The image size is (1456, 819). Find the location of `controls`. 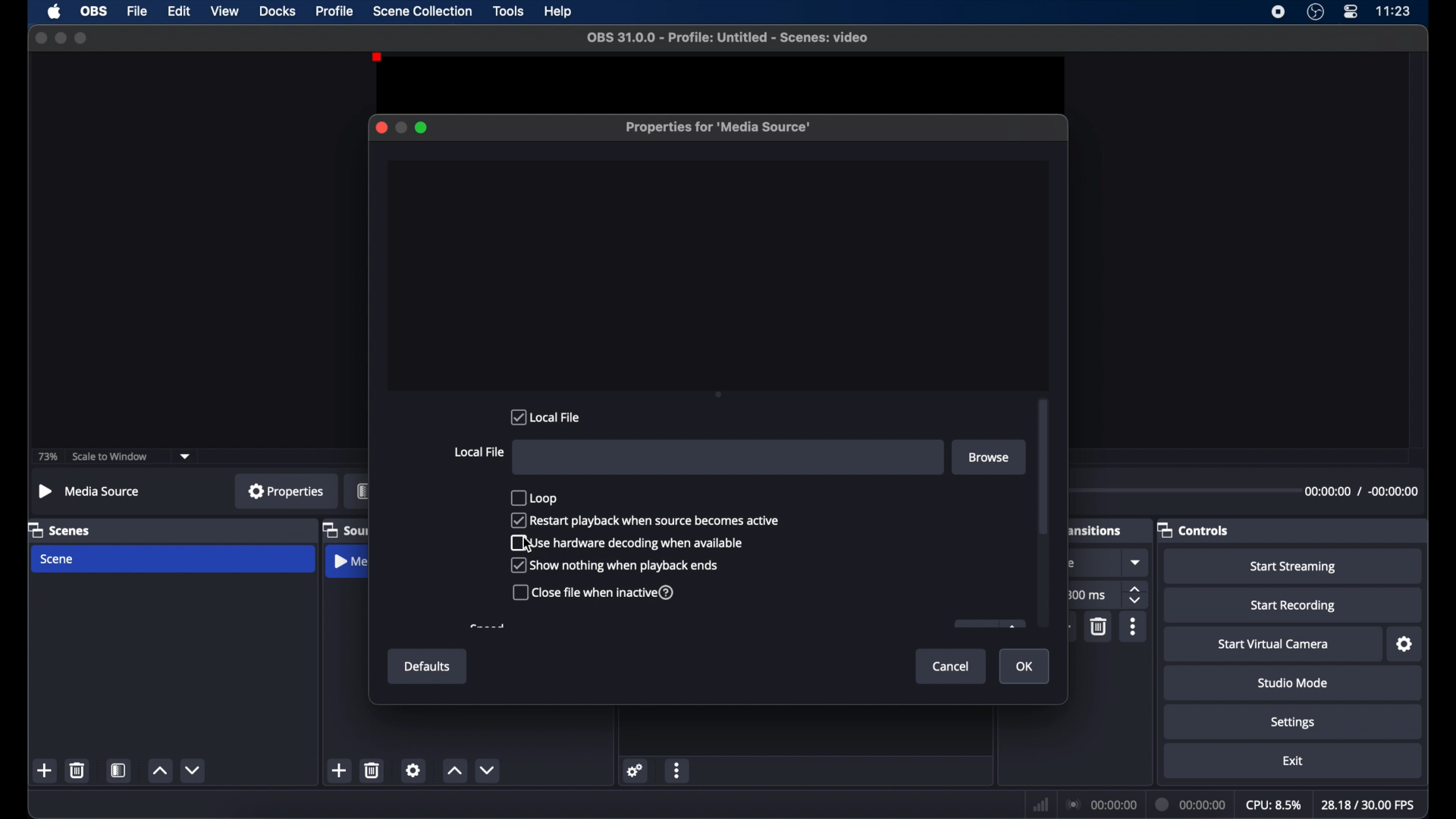

controls is located at coordinates (1193, 529).